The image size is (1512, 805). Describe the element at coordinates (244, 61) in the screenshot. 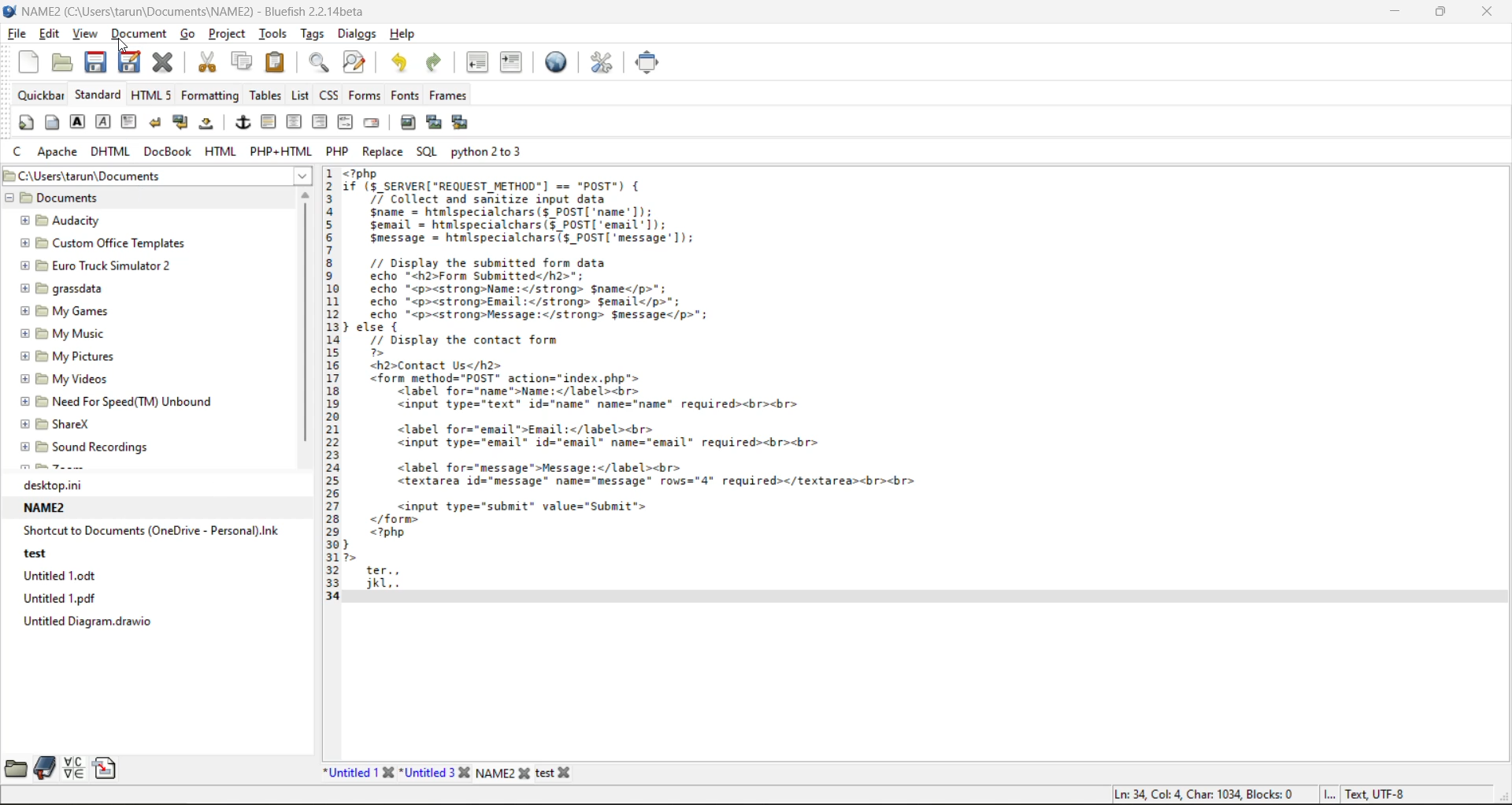

I see `copy` at that location.